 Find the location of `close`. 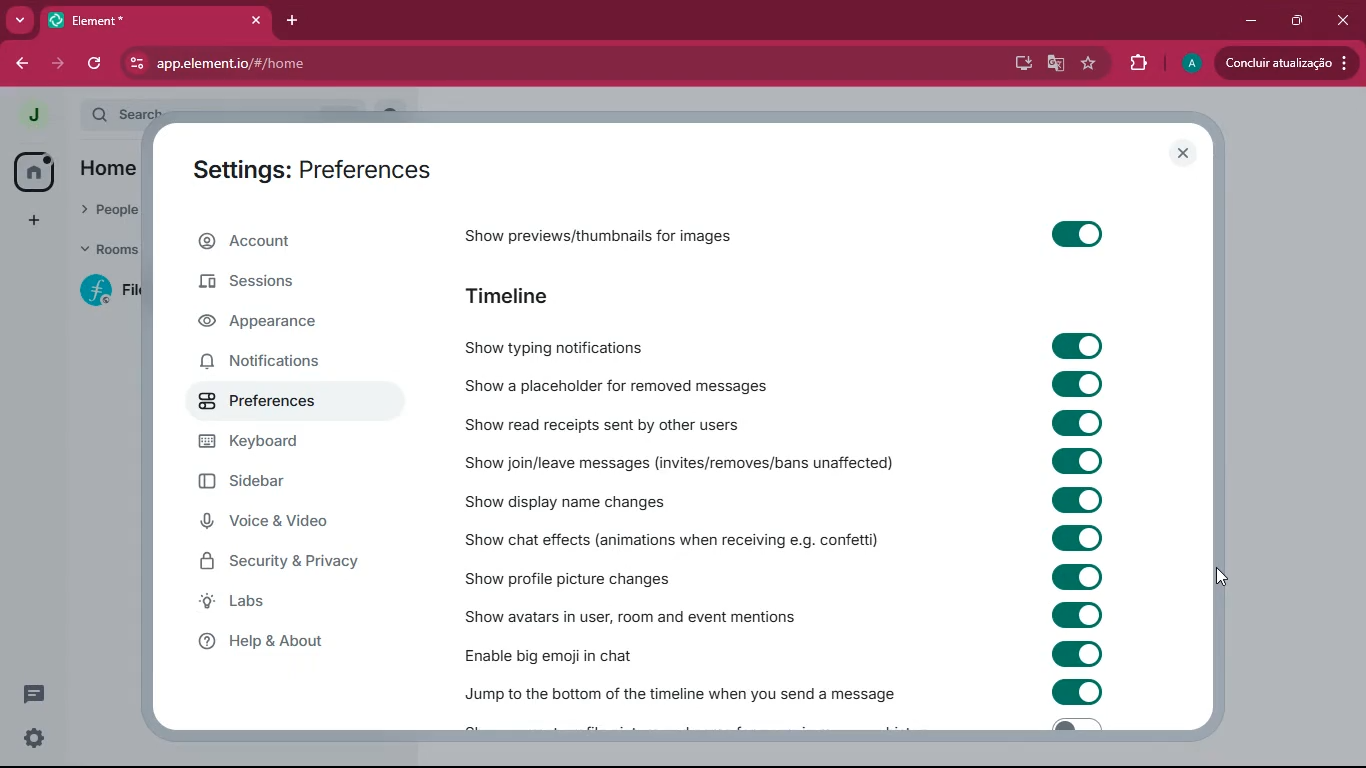

close is located at coordinates (1343, 19).